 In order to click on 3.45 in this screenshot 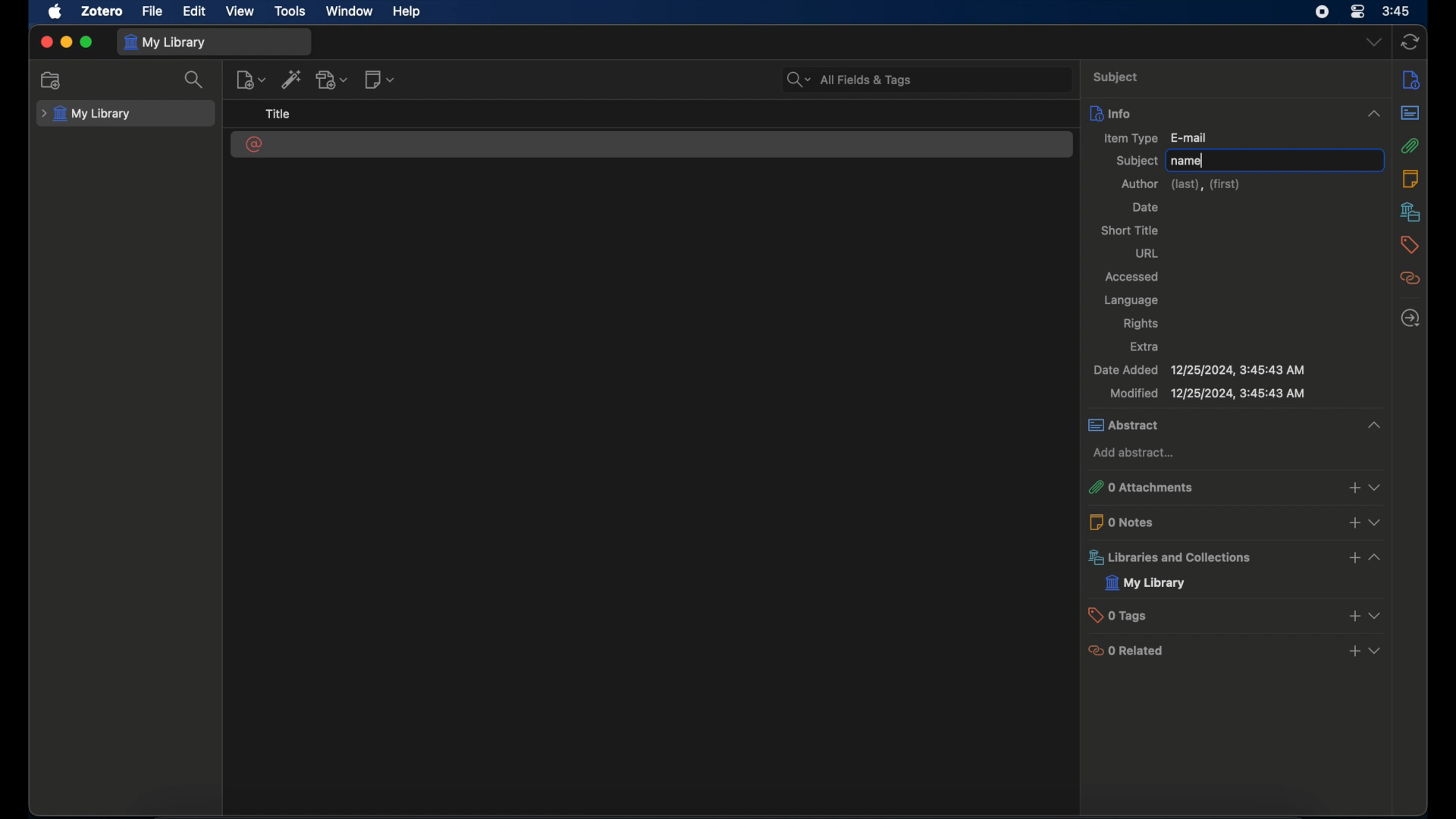, I will do `click(1396, 12)`.